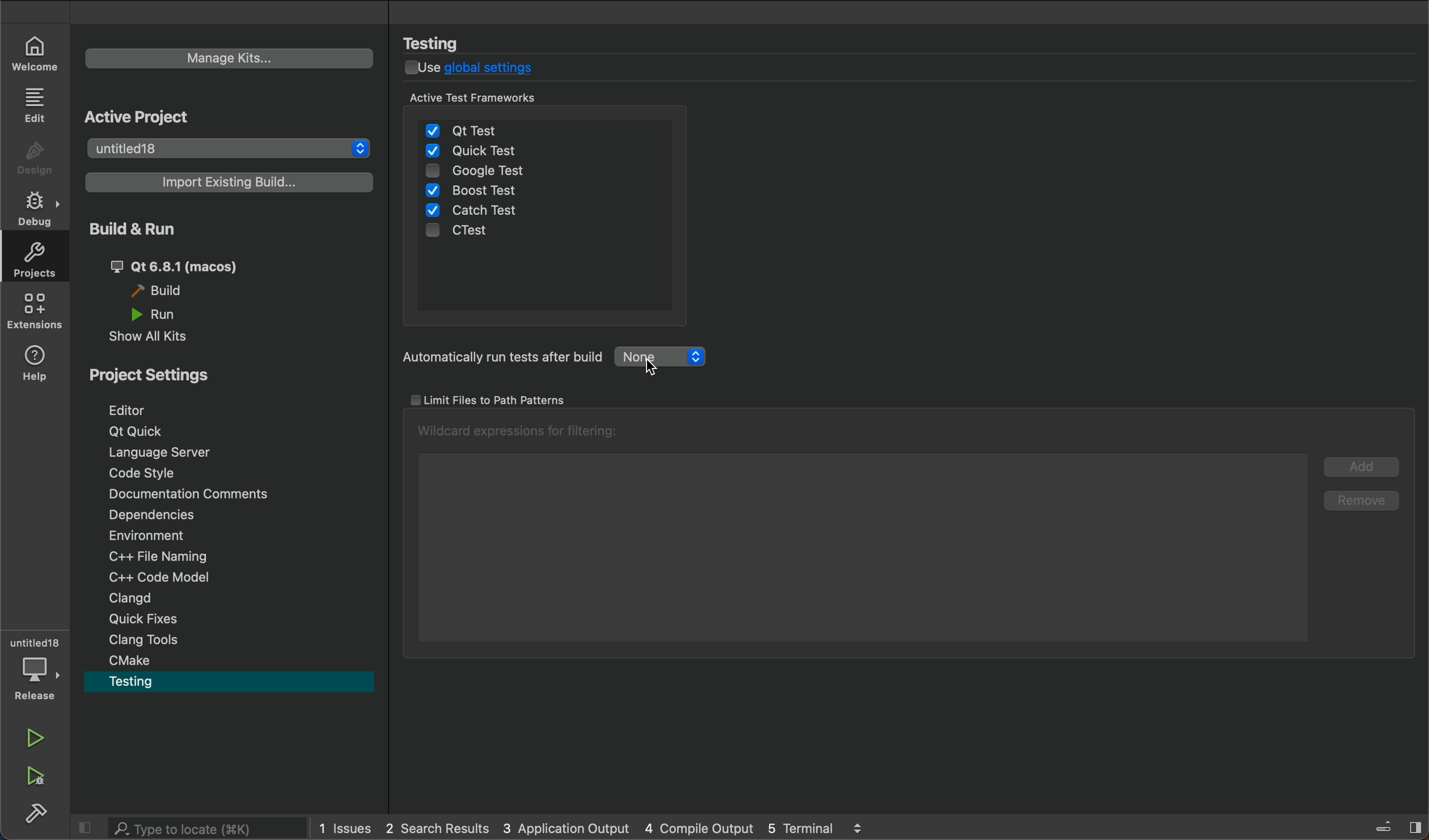 Image resolution: width=1429 pixels, height=840 pixels. What do you see at coordinates (193, 493) in the screenshot?
I see `documentation comments` at bounding box center [193, 493].